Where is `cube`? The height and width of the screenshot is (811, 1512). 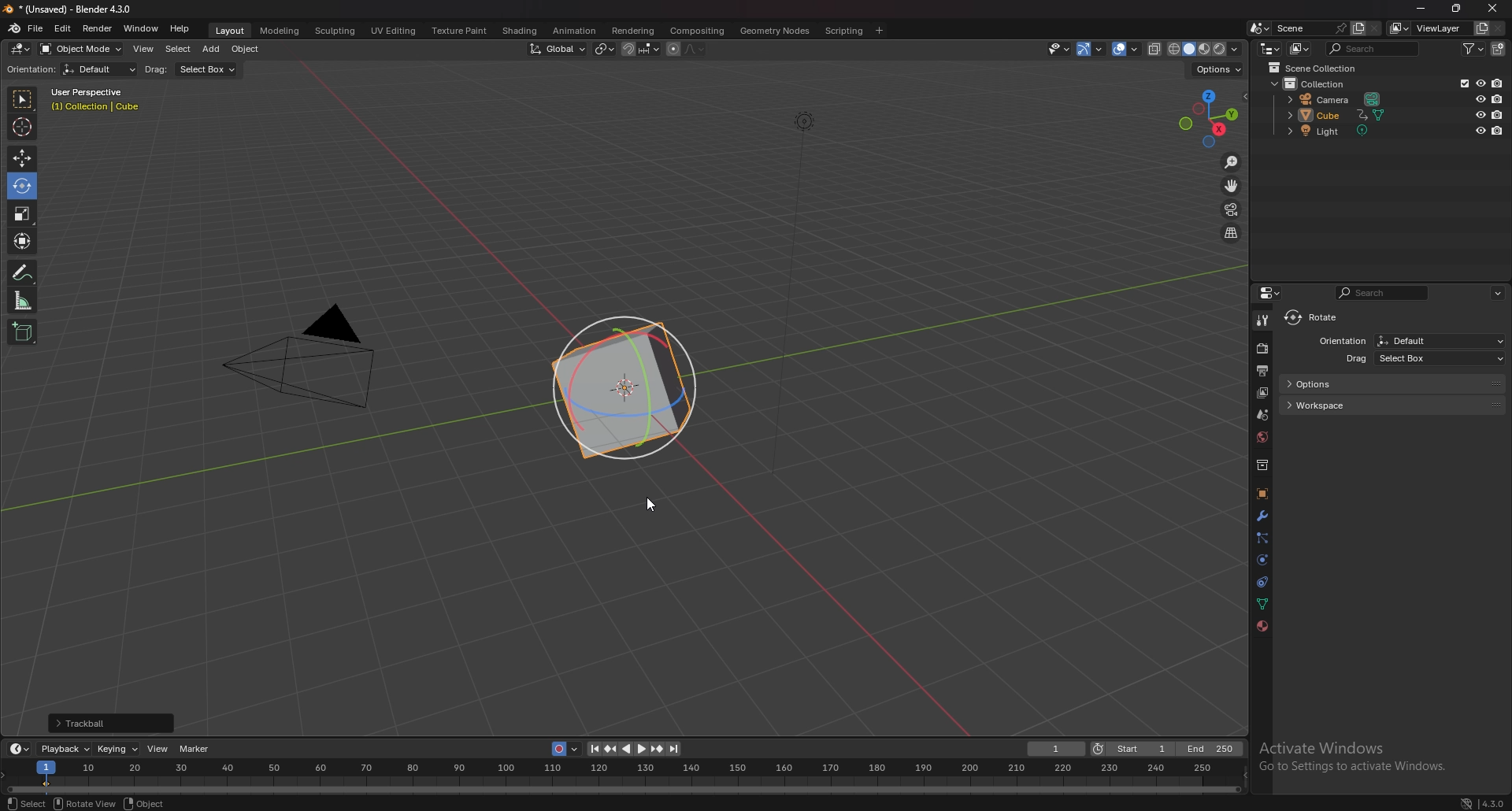
cube is located at coordinates (1339, 114).